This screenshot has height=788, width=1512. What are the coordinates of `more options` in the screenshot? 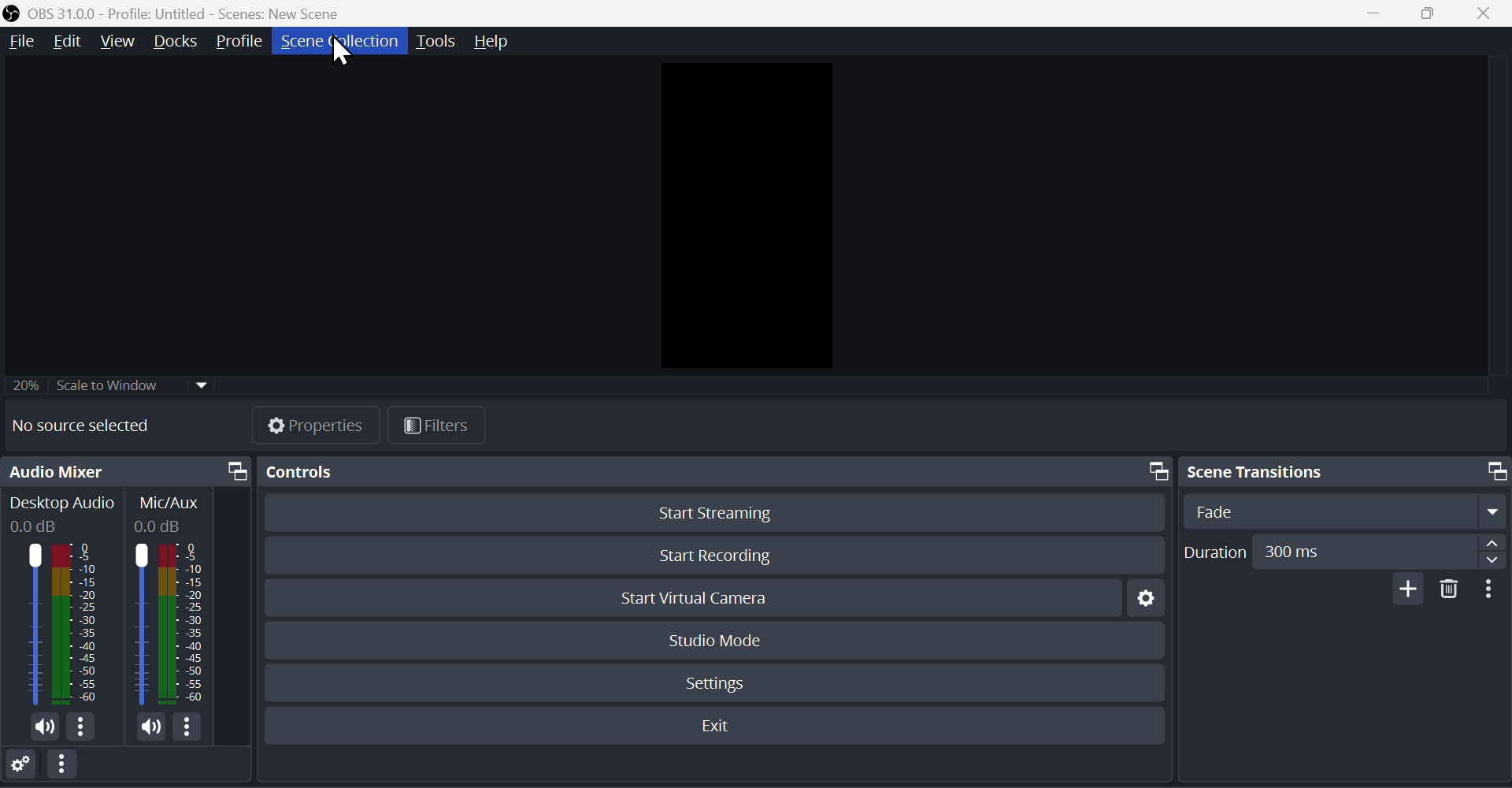 It's located at (87, 730).